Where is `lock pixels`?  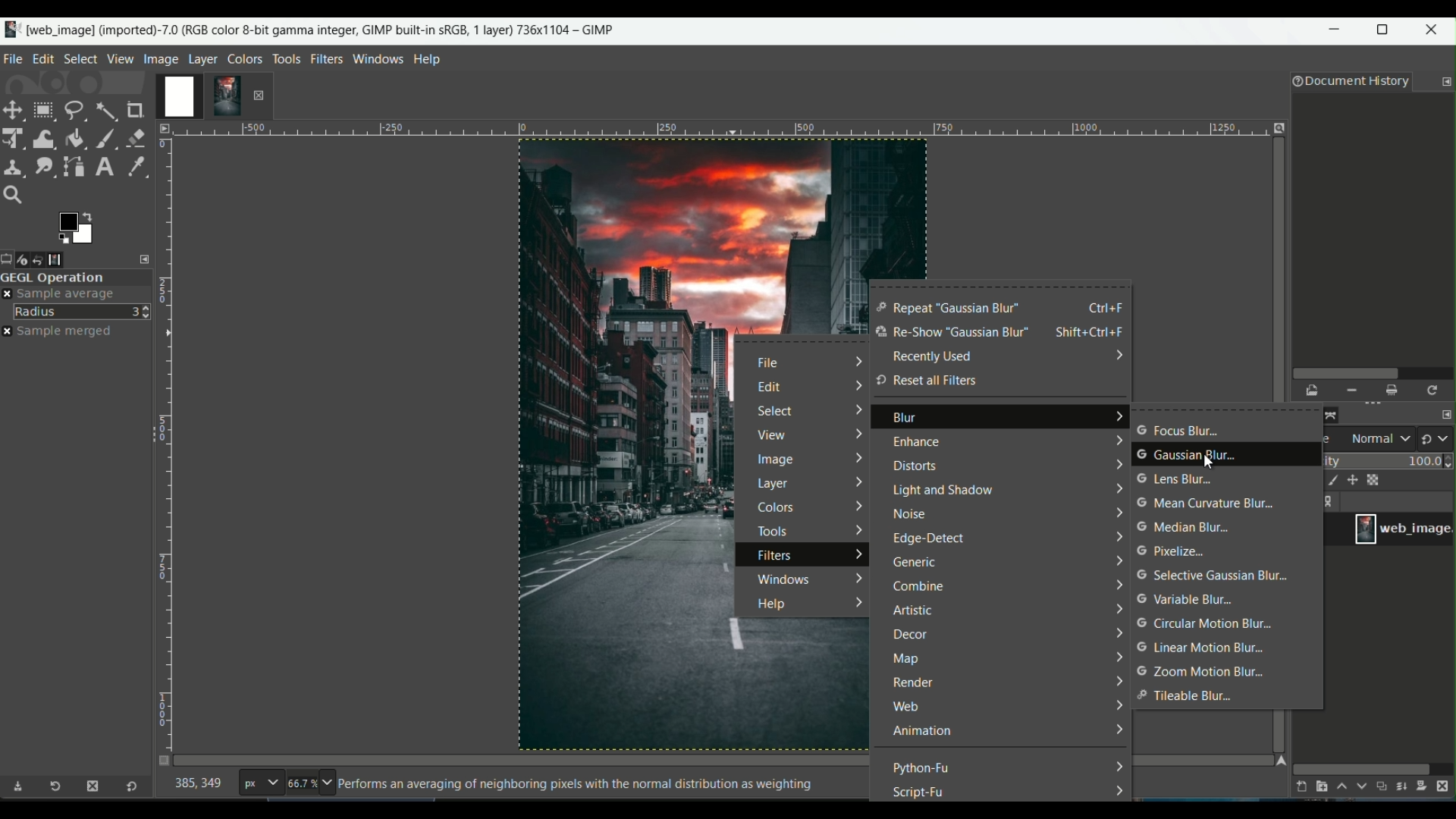
lock pixels is located at coordinates (1329, 482).